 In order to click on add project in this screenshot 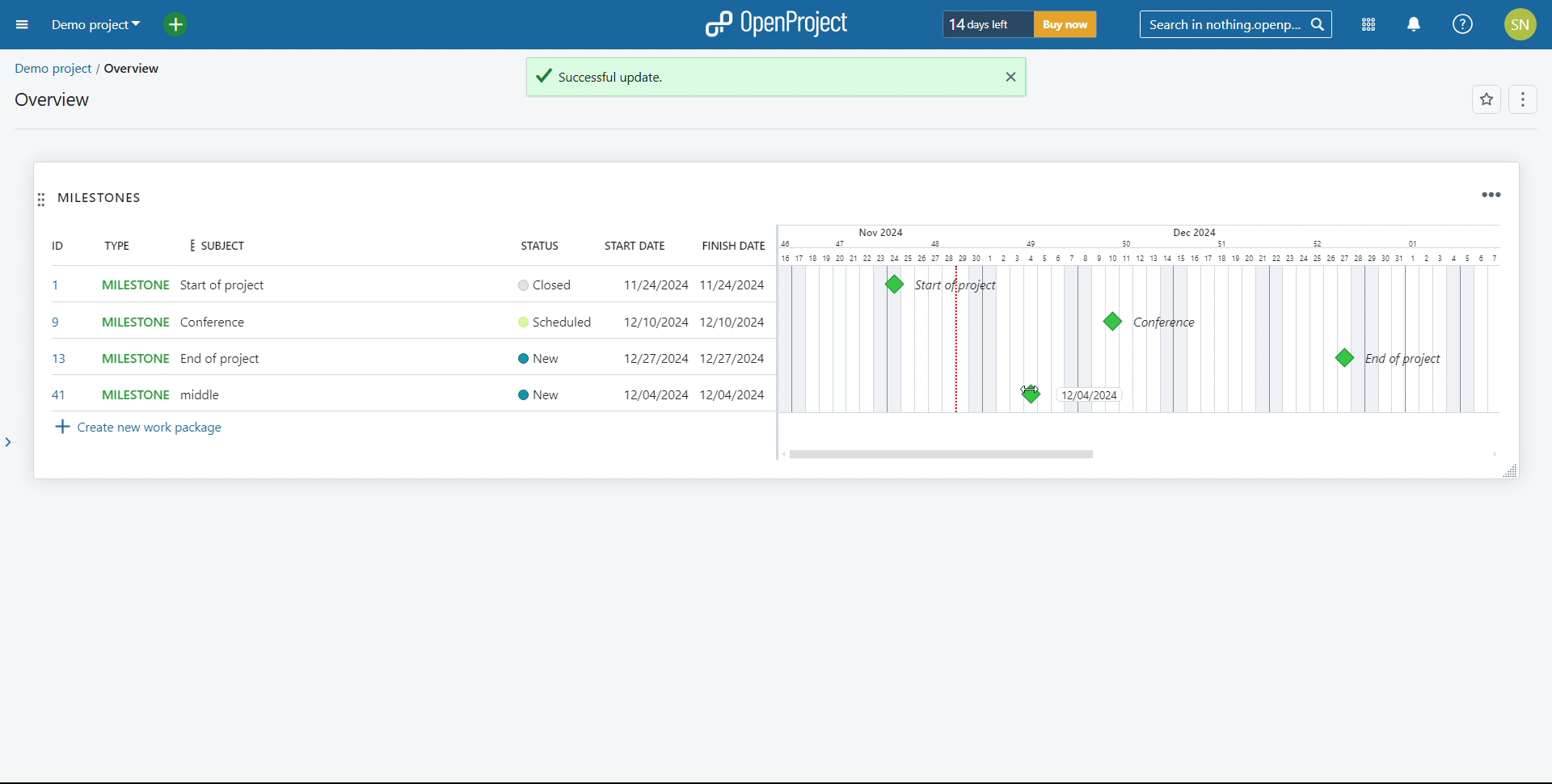, I will do `click(185, 25)`.